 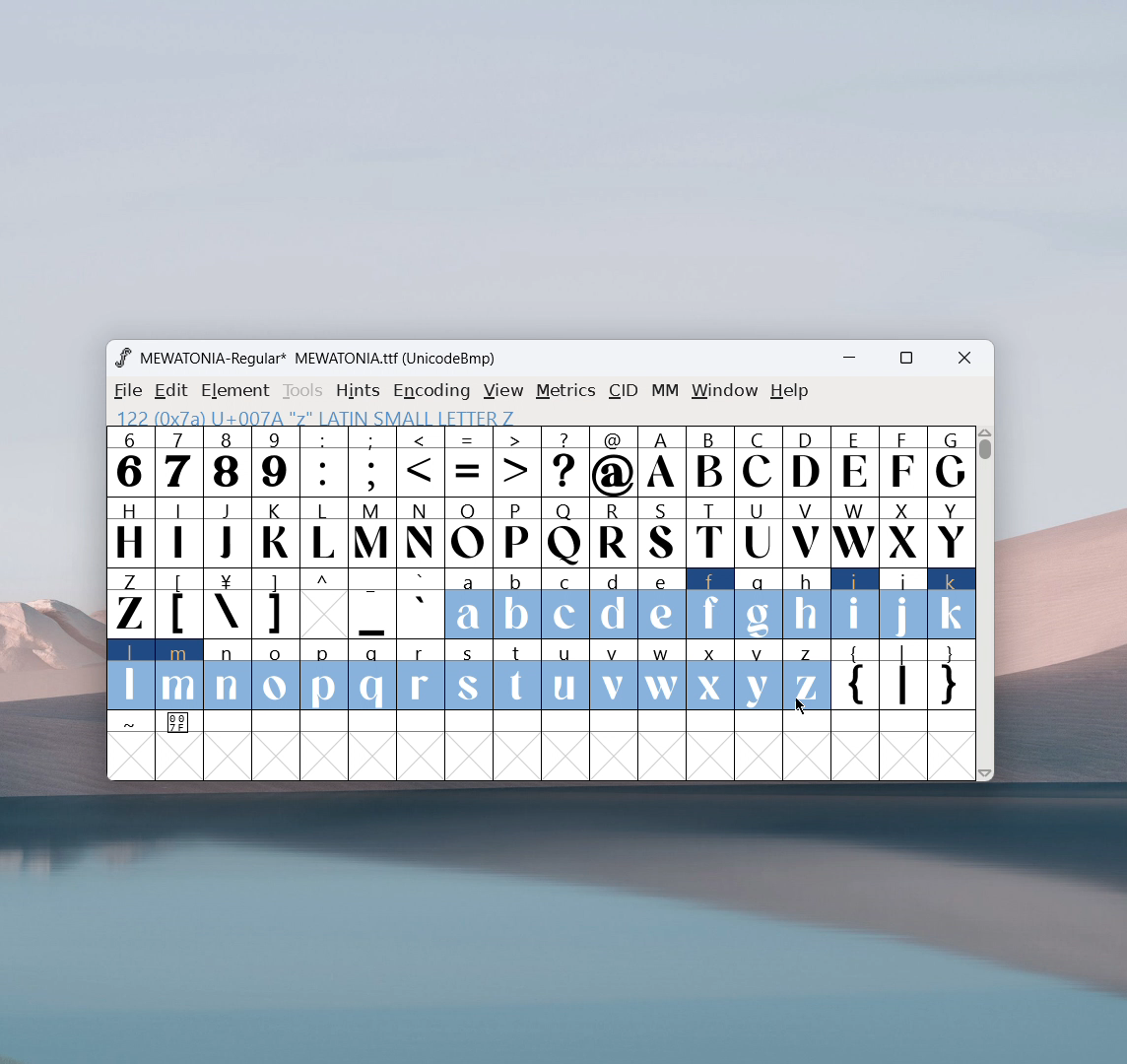 What do you see at coordinates (420, 604) in the screenshot?
I see ``` at bounding box center [420, 604].